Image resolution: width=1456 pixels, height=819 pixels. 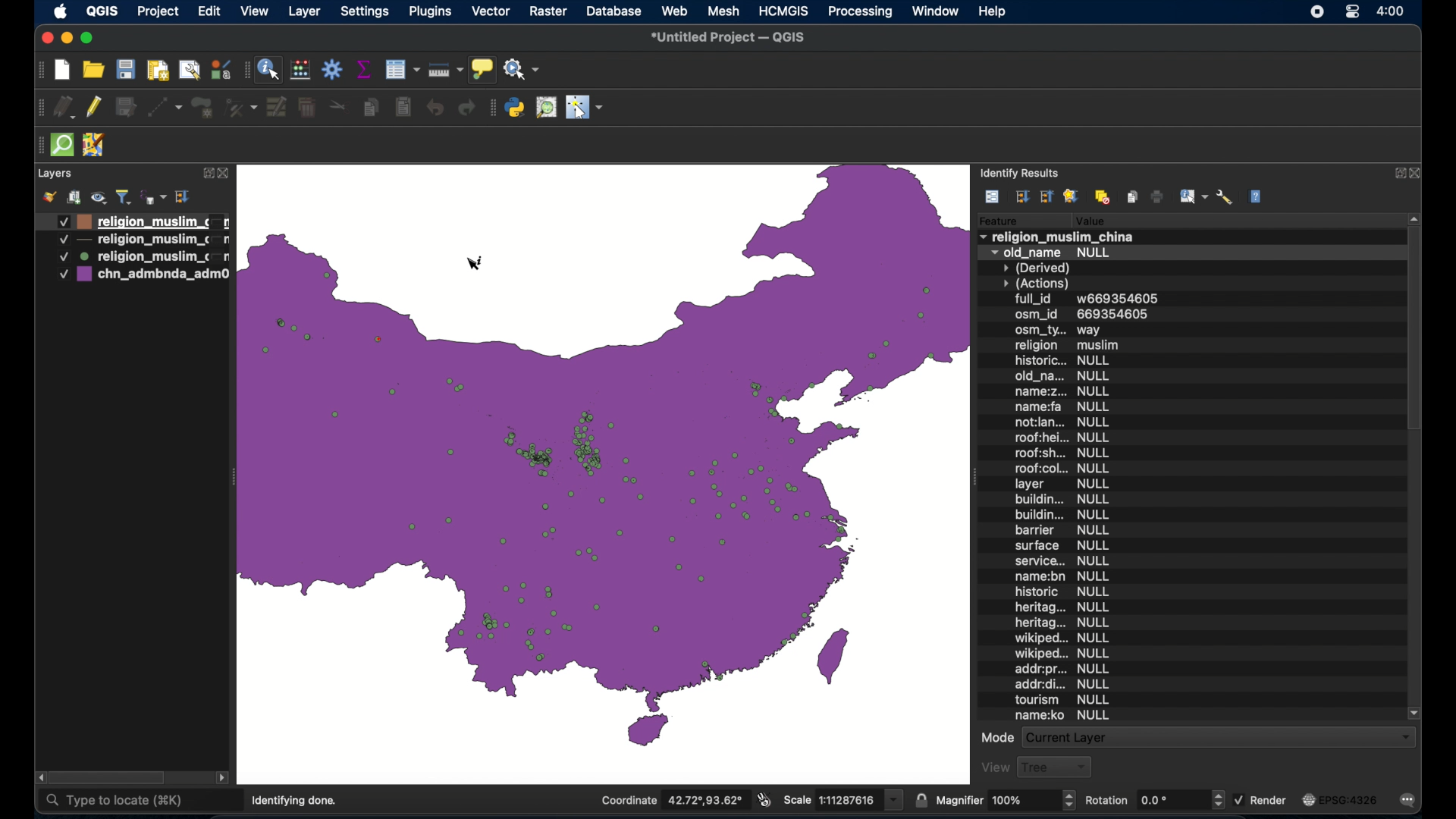 I want to click on copy features, so click(x=370, y=107).